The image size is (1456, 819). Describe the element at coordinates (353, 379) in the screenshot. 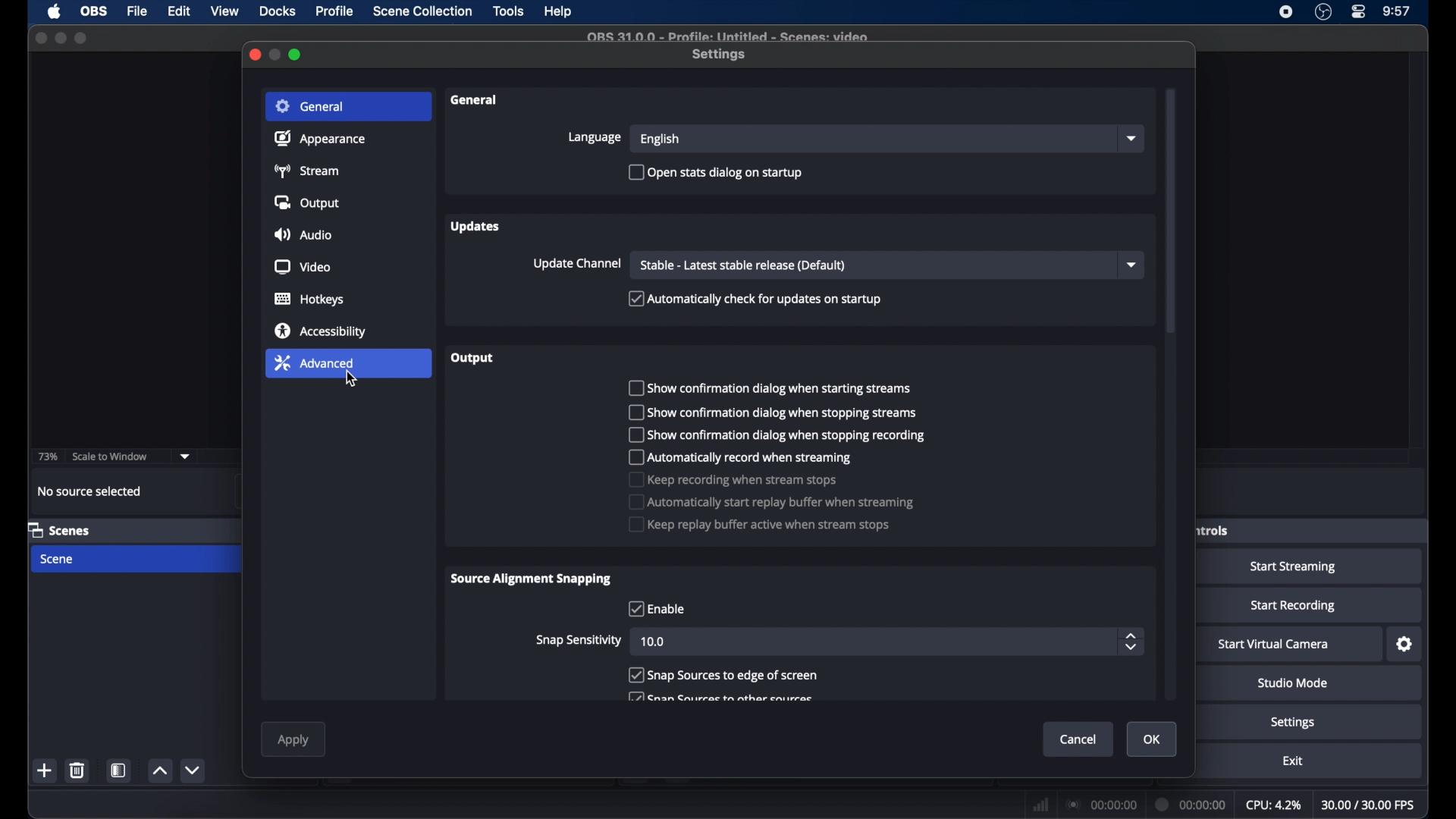

I see `cursor` at that location.